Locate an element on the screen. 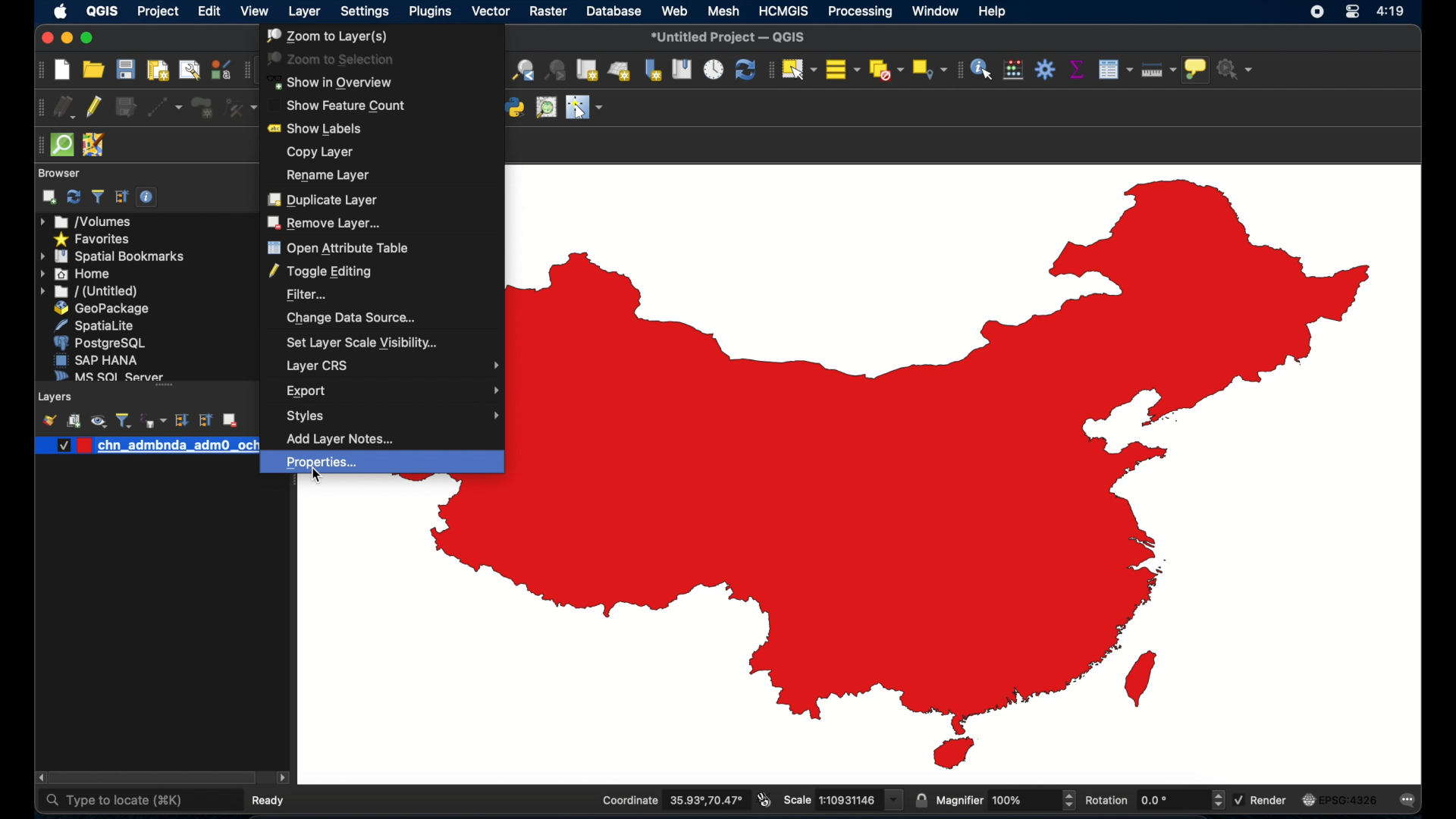 This screenshot has height=819, width=1456. increase or decrease rotation value is located at coordinates (1221, 800).